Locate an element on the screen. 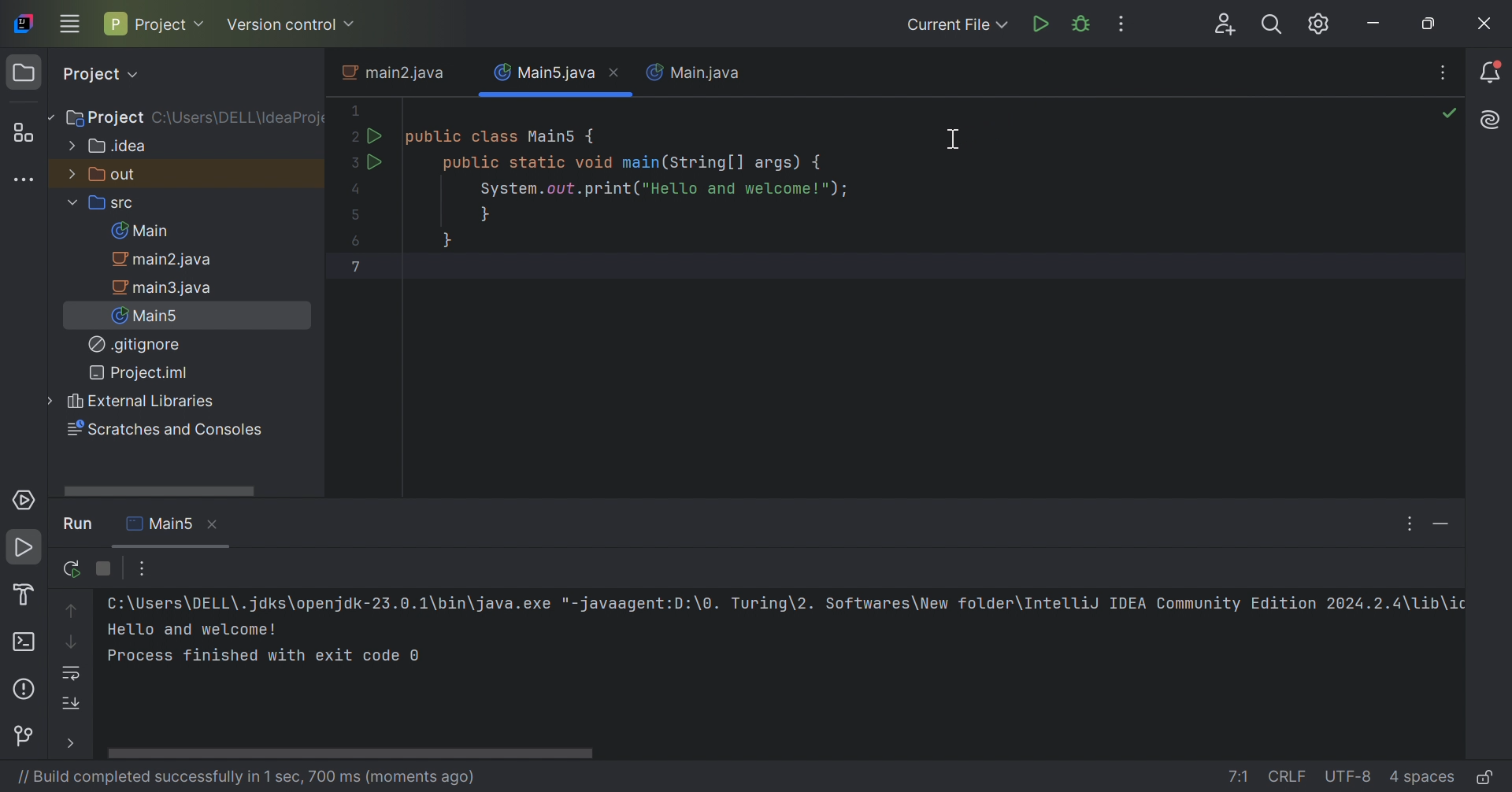 This screenshot has height=792, width=1512. Down the Stack Trace is located at coordinates (70, 643).